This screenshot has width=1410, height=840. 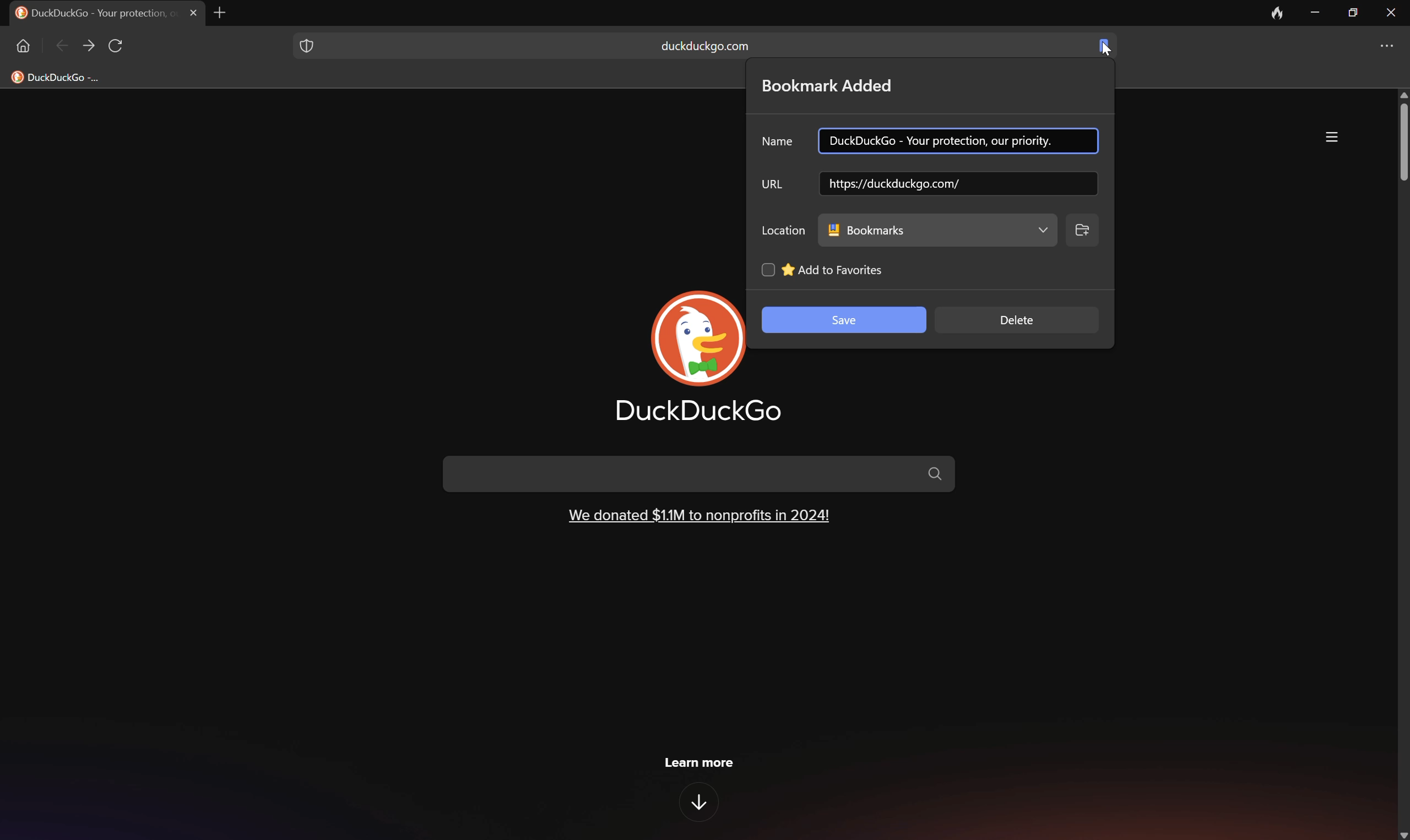 I want to click on Checkbox, so click(x=766, y=269).